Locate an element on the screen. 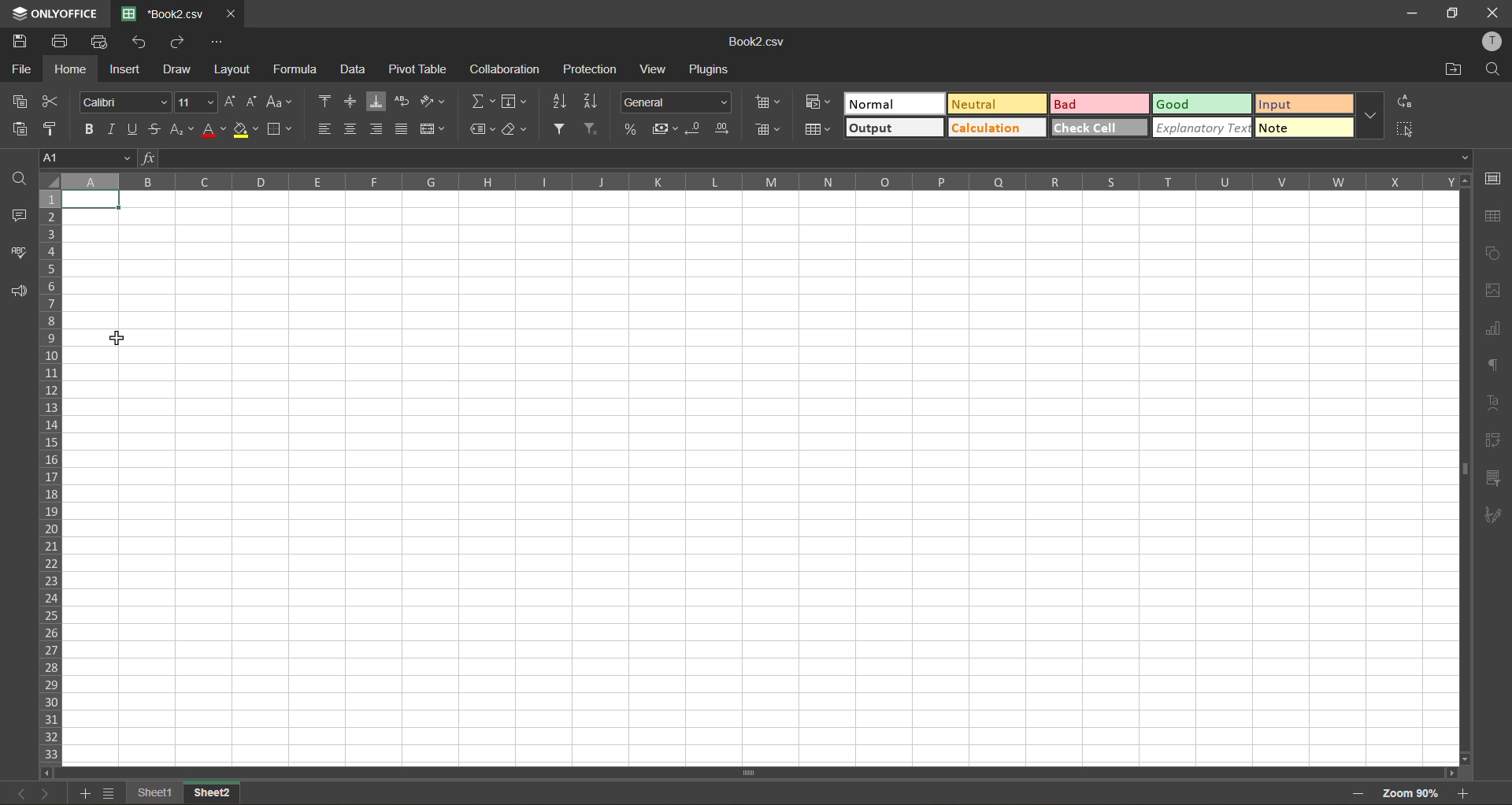 This screenshot has height=805, width=1512. working sheet 2 is located at coordinates (760, 487).